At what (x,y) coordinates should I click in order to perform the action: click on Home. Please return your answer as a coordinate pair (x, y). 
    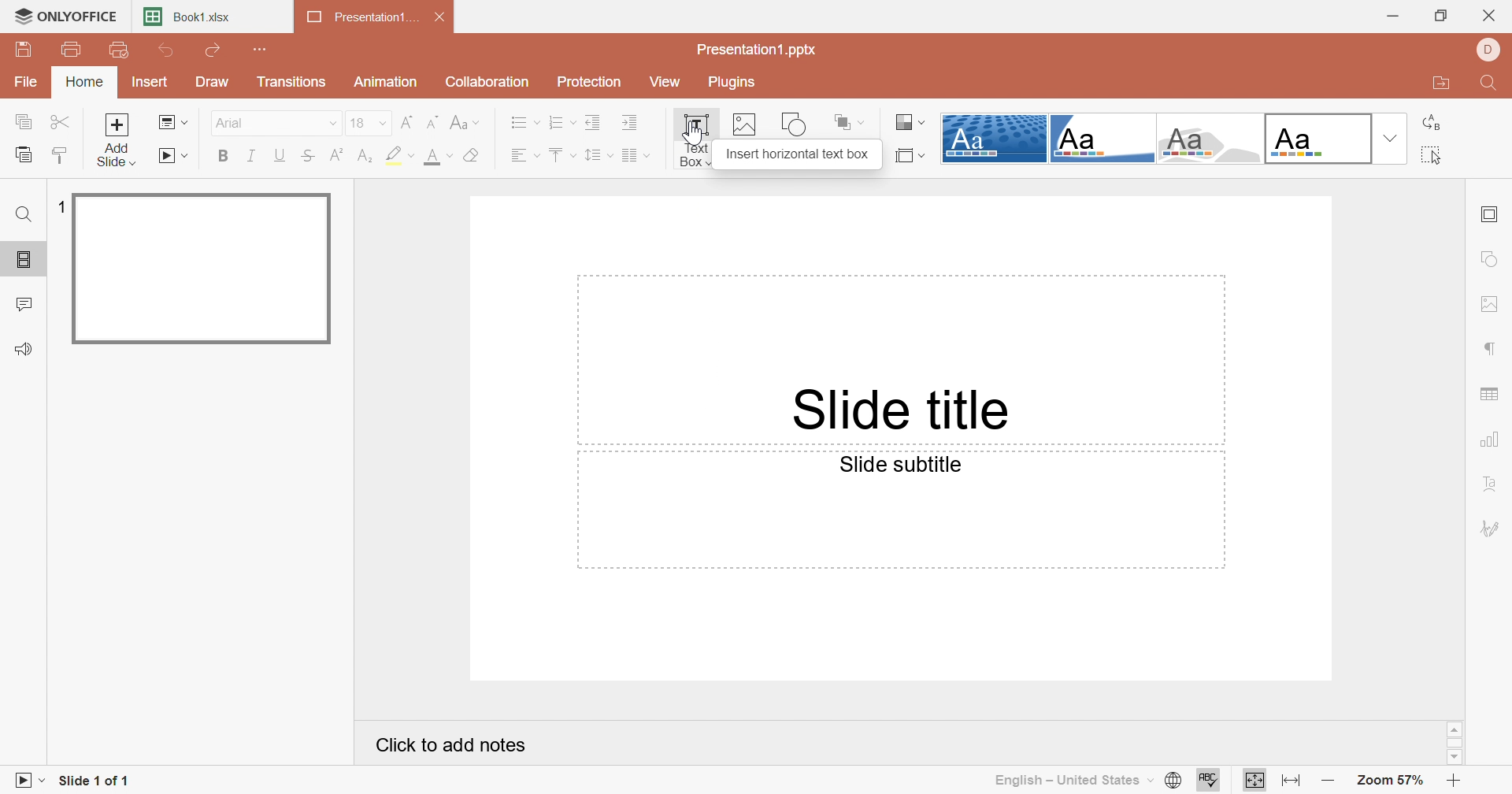
    Looking at the image, I should click on (86, 82).